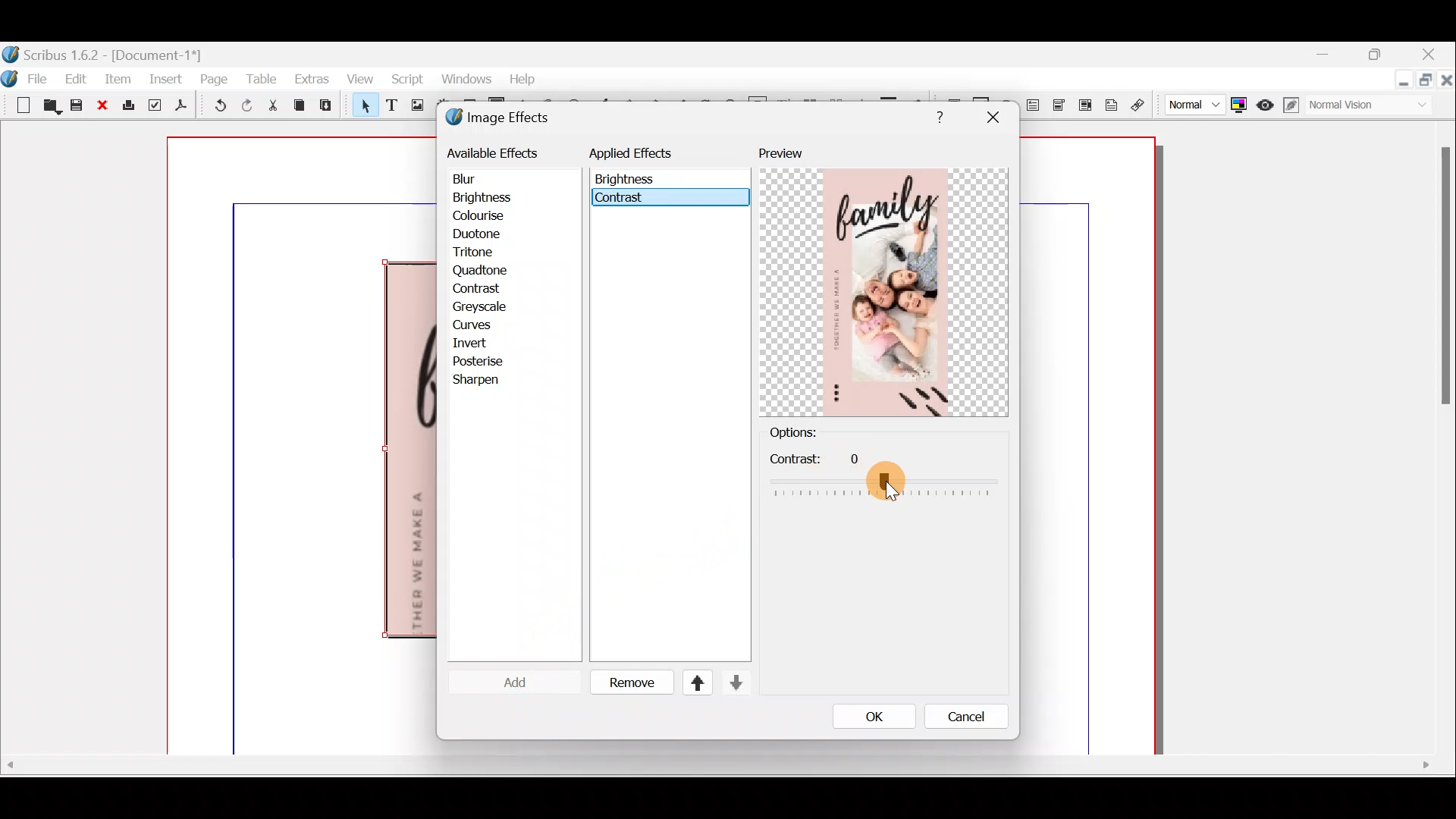 The width and height of the screenshot is (1456, 819). What do you see at coordinates (956, 720) in the screenshot?
I see `Cancel` at bounding box center [956, 720].